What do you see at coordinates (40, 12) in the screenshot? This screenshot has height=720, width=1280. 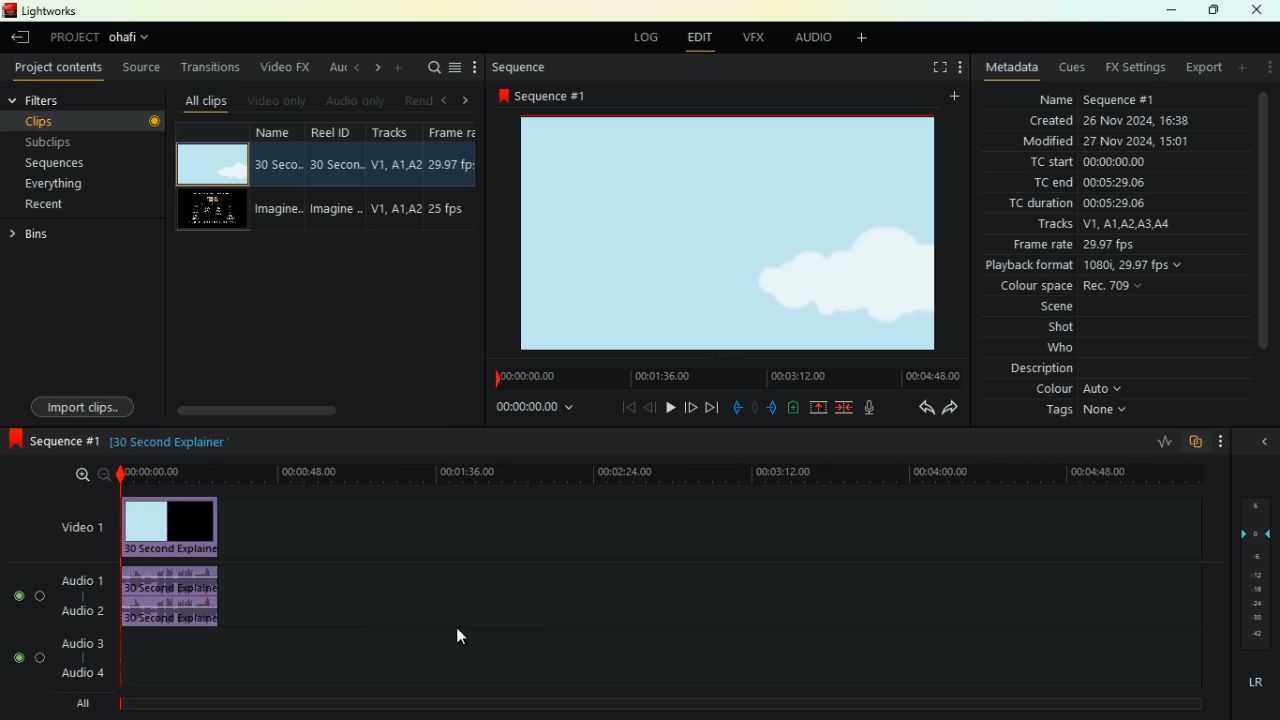 I see `lightworks` at bounding box center [40, 12].